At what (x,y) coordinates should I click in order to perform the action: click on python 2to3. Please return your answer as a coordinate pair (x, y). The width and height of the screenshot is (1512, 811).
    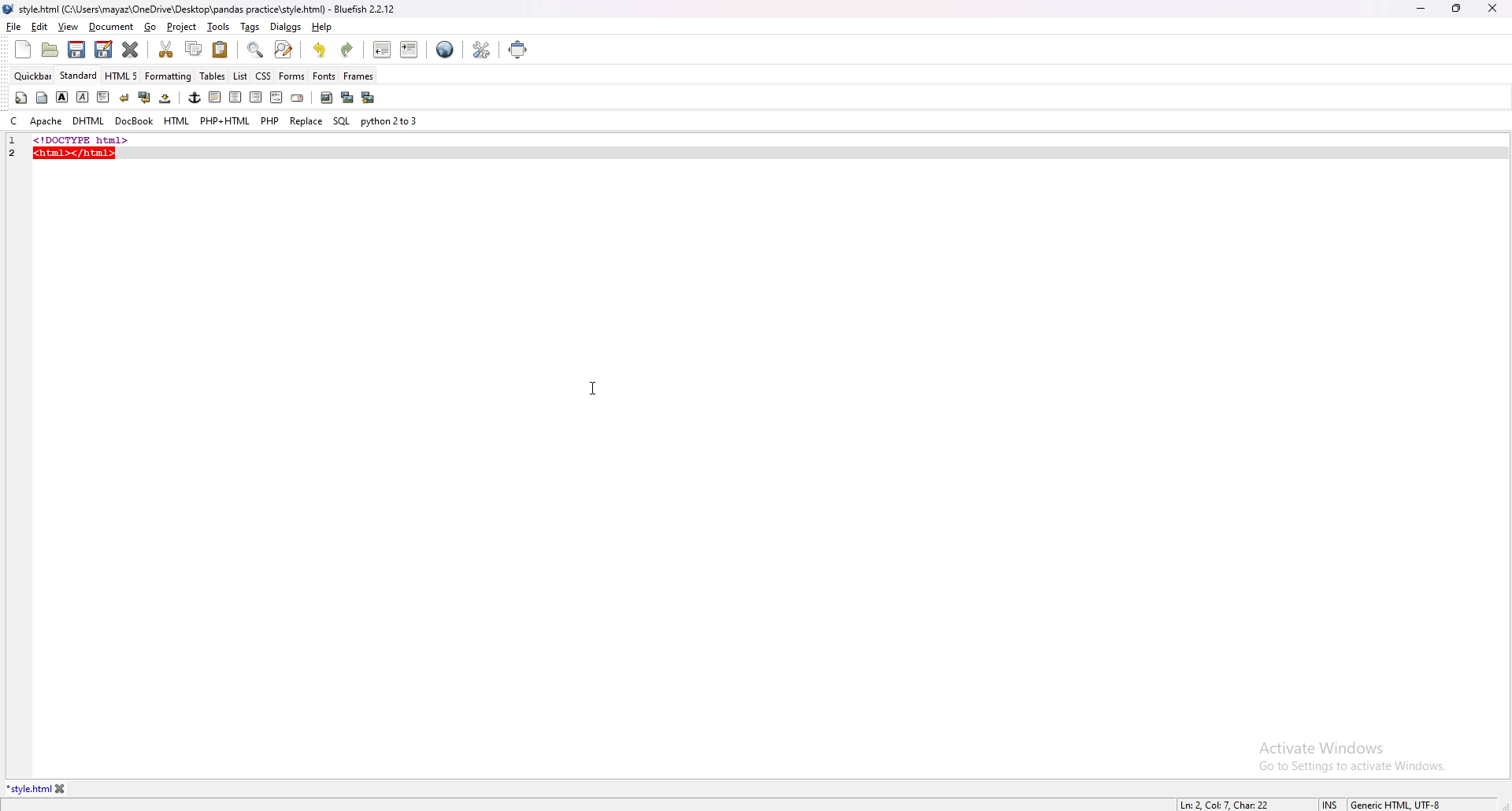
    Looking at the image, I should click on (391, 121).